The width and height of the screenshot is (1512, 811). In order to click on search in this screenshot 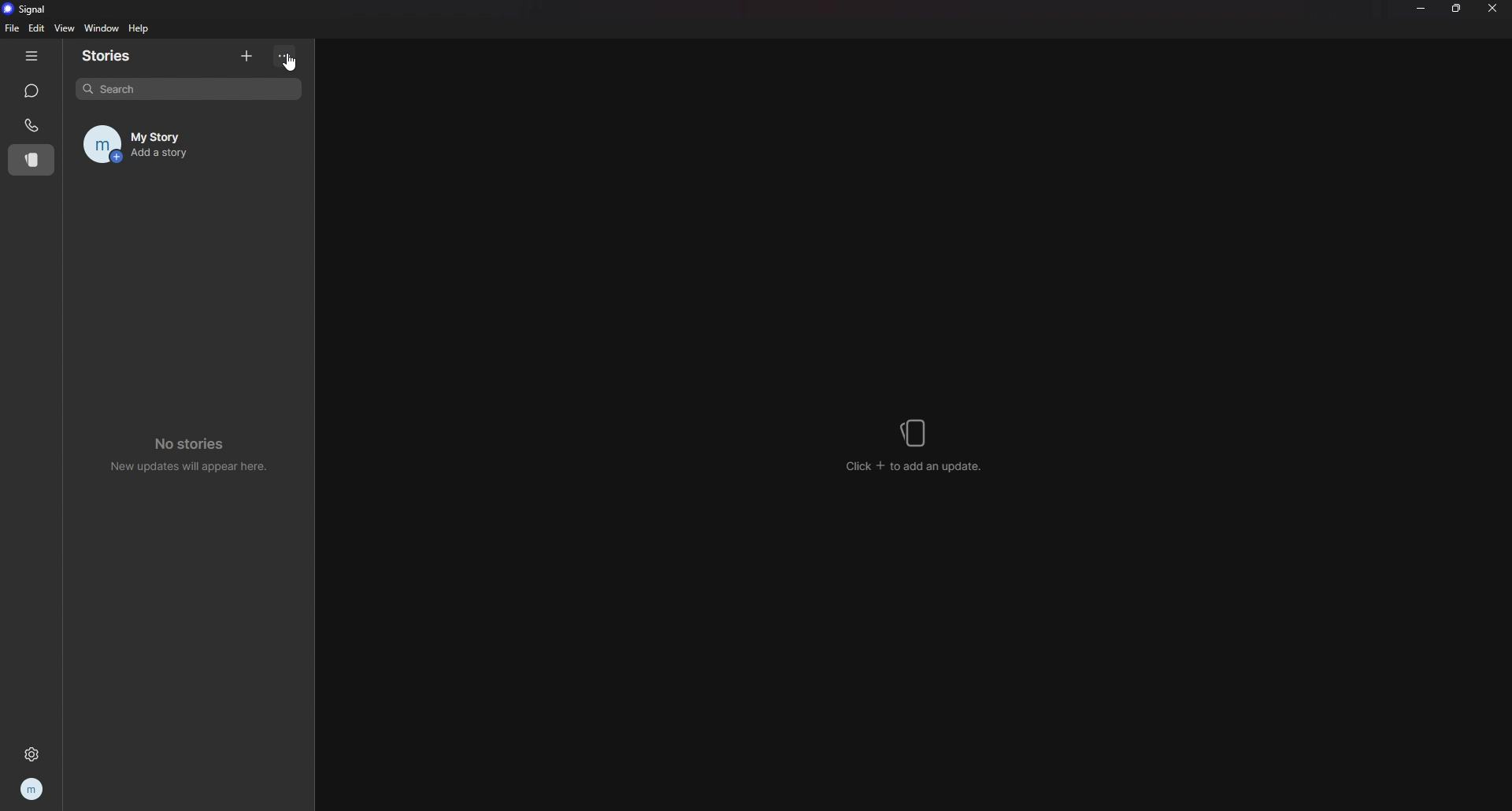, I will do `click(187, 88)`.